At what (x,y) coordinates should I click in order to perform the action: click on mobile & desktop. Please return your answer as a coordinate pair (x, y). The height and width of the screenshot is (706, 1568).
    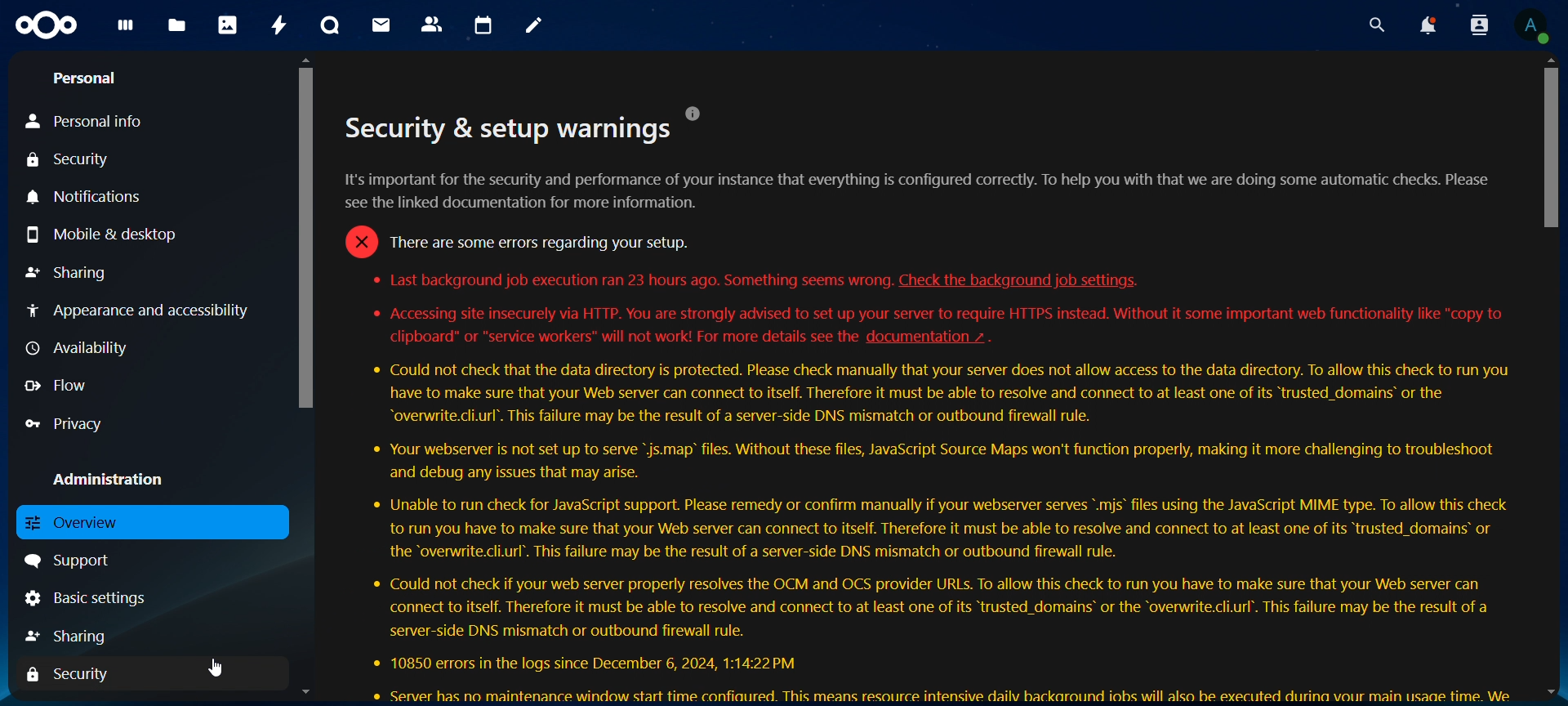
    Looking at the image, I should click on (104, 236).